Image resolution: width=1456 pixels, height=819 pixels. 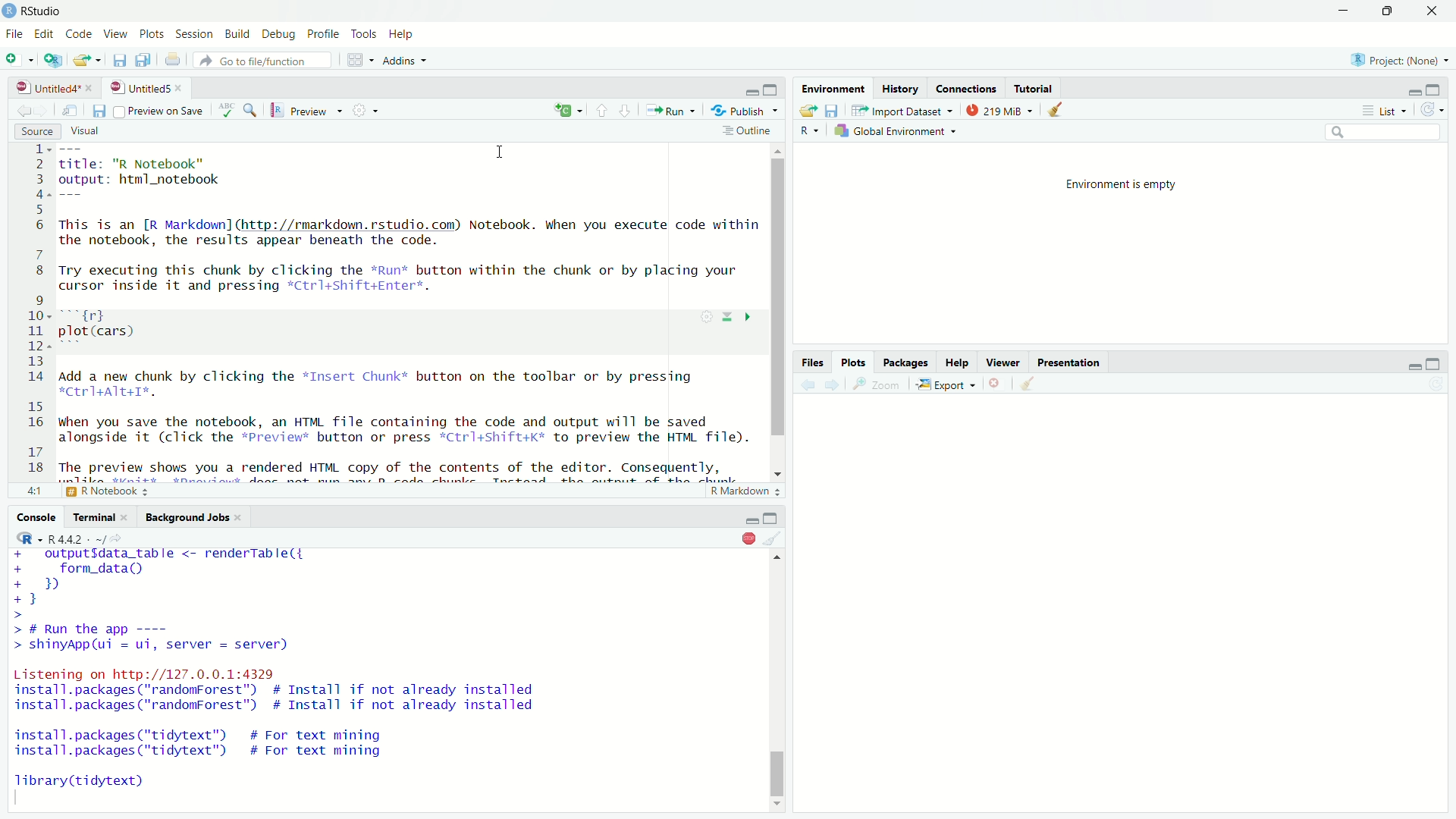 What do you see at coordinates (255, 109) in the screenshot?
I see `Find/replace` at bounding box center [255, 109].